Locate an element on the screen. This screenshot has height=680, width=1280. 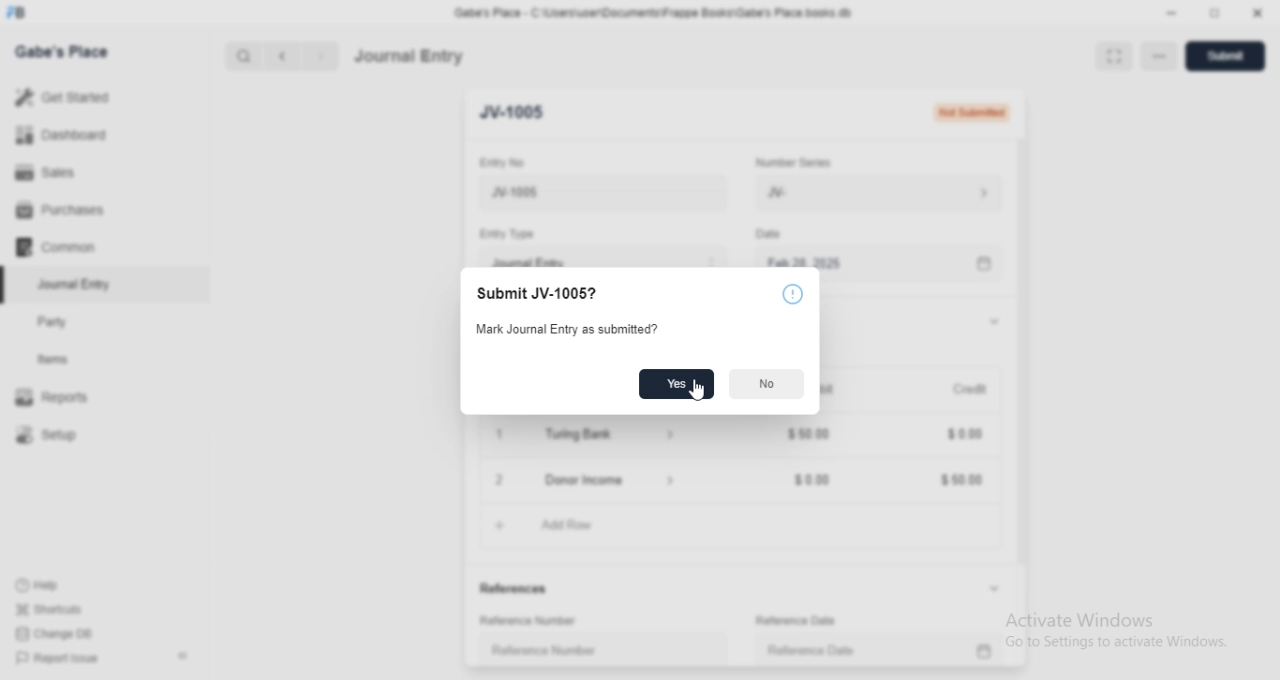
Submit JV-1005? is located at coordinates (538, 294).